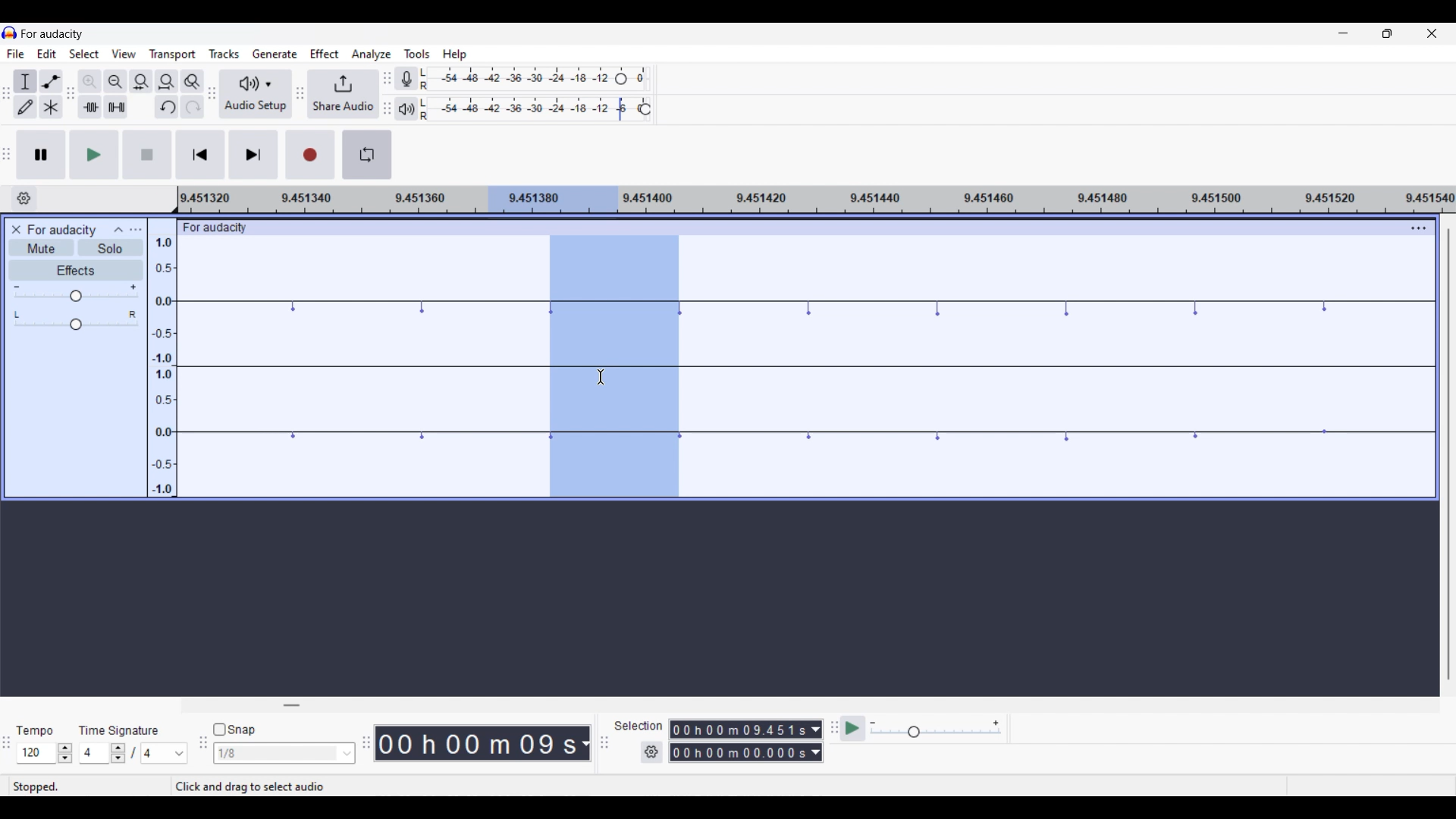 The width and height of the screenshot is (1456, 819). Describe the element at coordinates (193, 106) in the screenshot. I see `Redo` at that location.